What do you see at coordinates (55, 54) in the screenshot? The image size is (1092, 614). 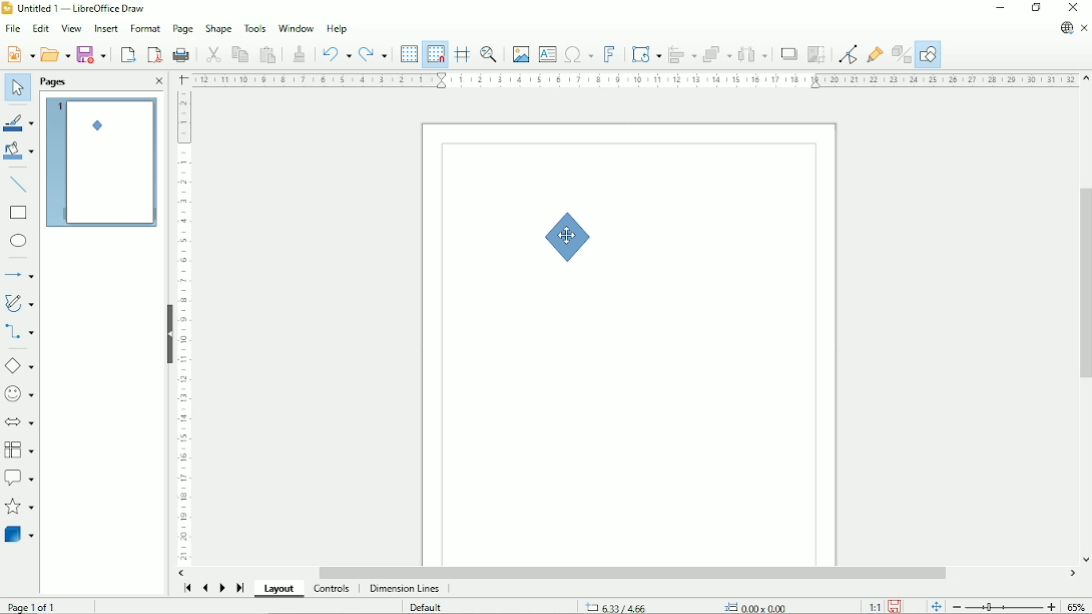 I see `Open ` at bounding box center [55, 54].